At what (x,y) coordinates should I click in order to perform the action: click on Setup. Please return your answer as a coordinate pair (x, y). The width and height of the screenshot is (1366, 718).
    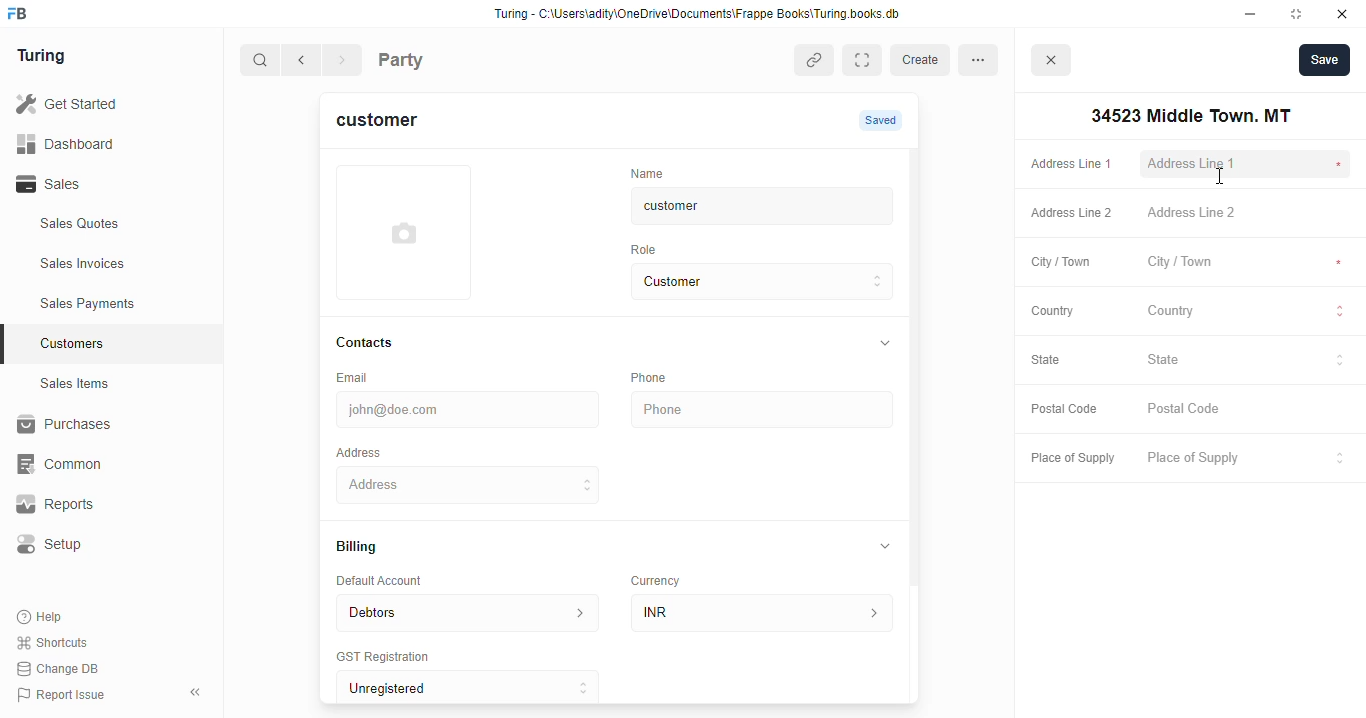
    Looking at the image, I should click on (101, 544).